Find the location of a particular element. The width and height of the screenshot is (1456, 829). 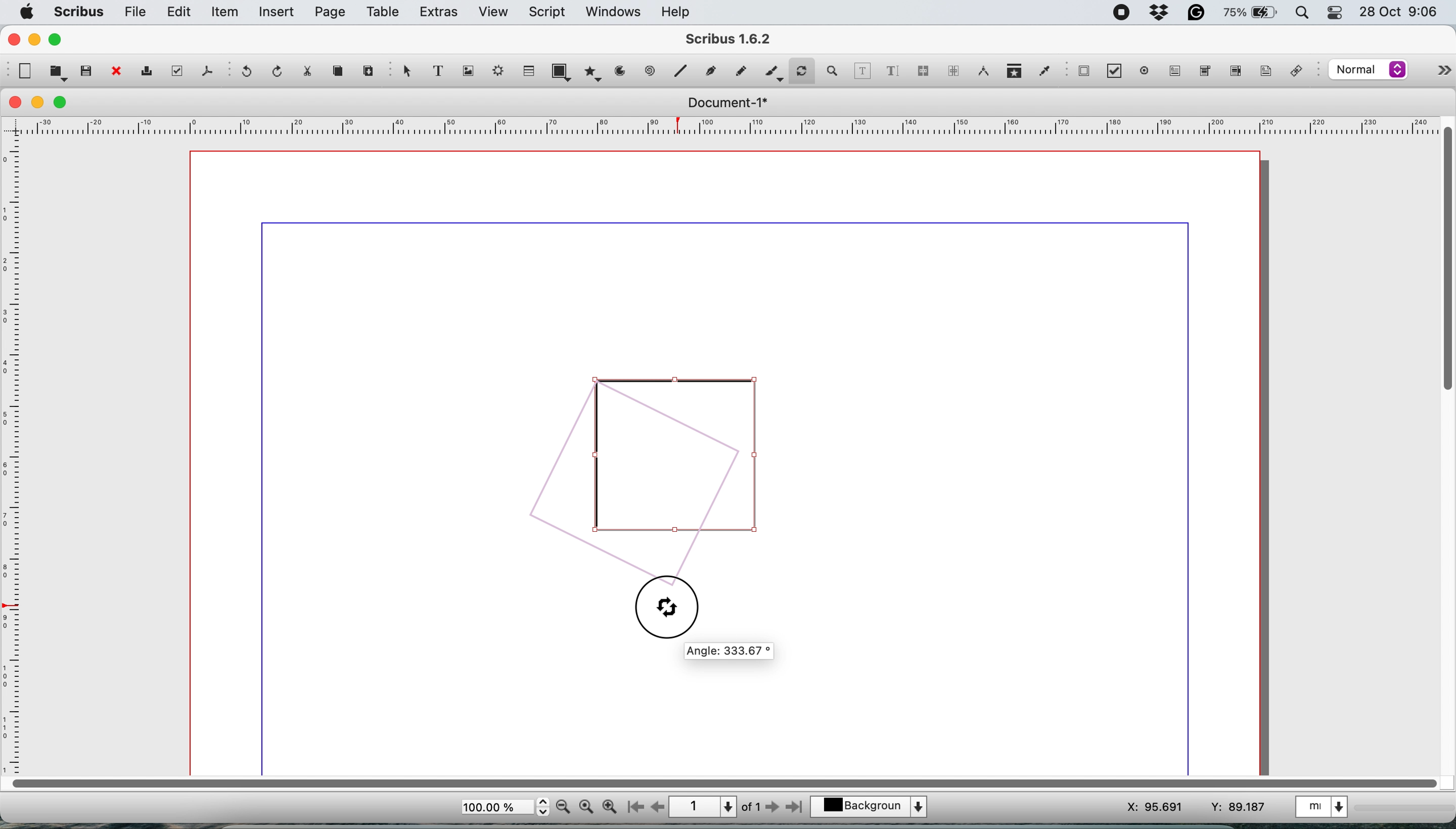

go to previous page is located at coordinates (658, 806).